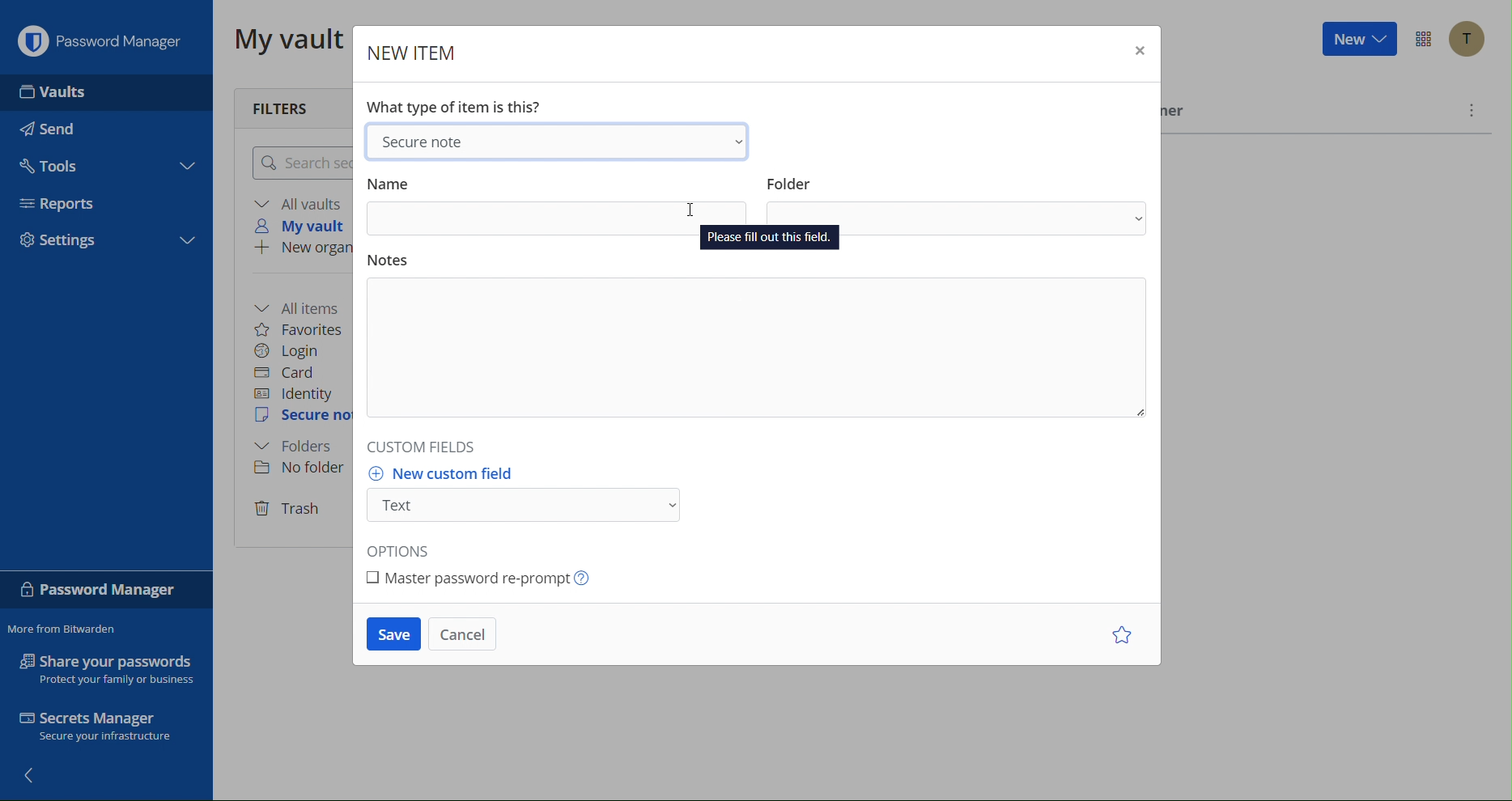 The image size is (1512, 801). What do you see at coordinates (293, 372) in the screenshot?
I see `Card` at bounding box center [293, 372].